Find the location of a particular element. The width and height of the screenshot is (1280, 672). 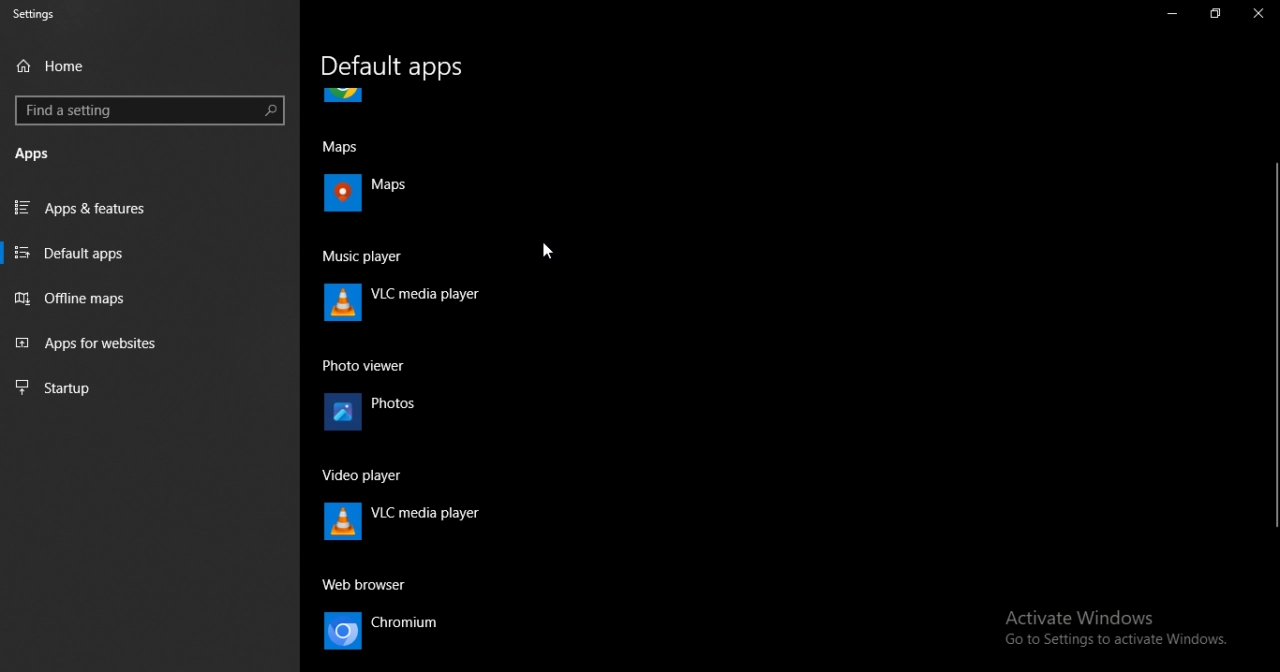

Activate Windows
Go to Settings to activate Windows. is located at coordinates (1125, 630).